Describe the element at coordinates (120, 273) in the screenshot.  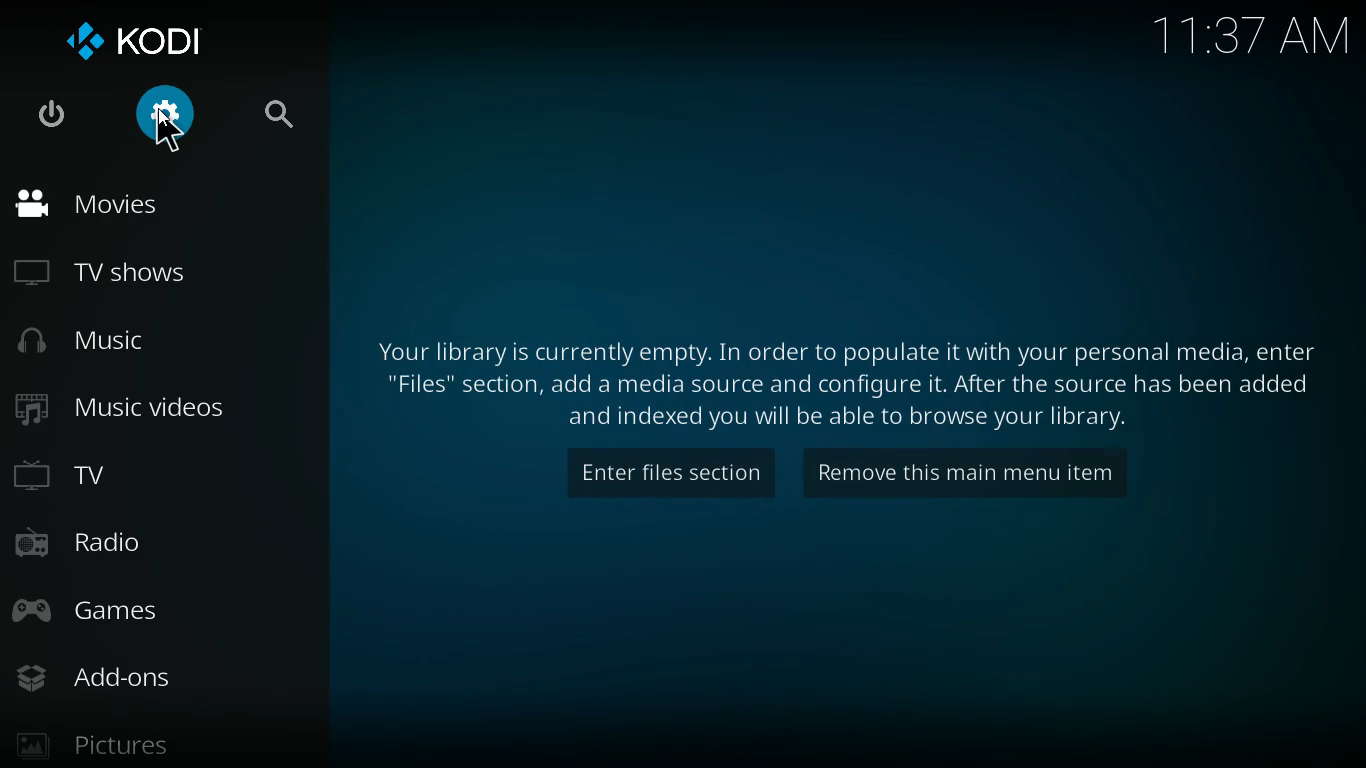
I see `tv shows` at that location.